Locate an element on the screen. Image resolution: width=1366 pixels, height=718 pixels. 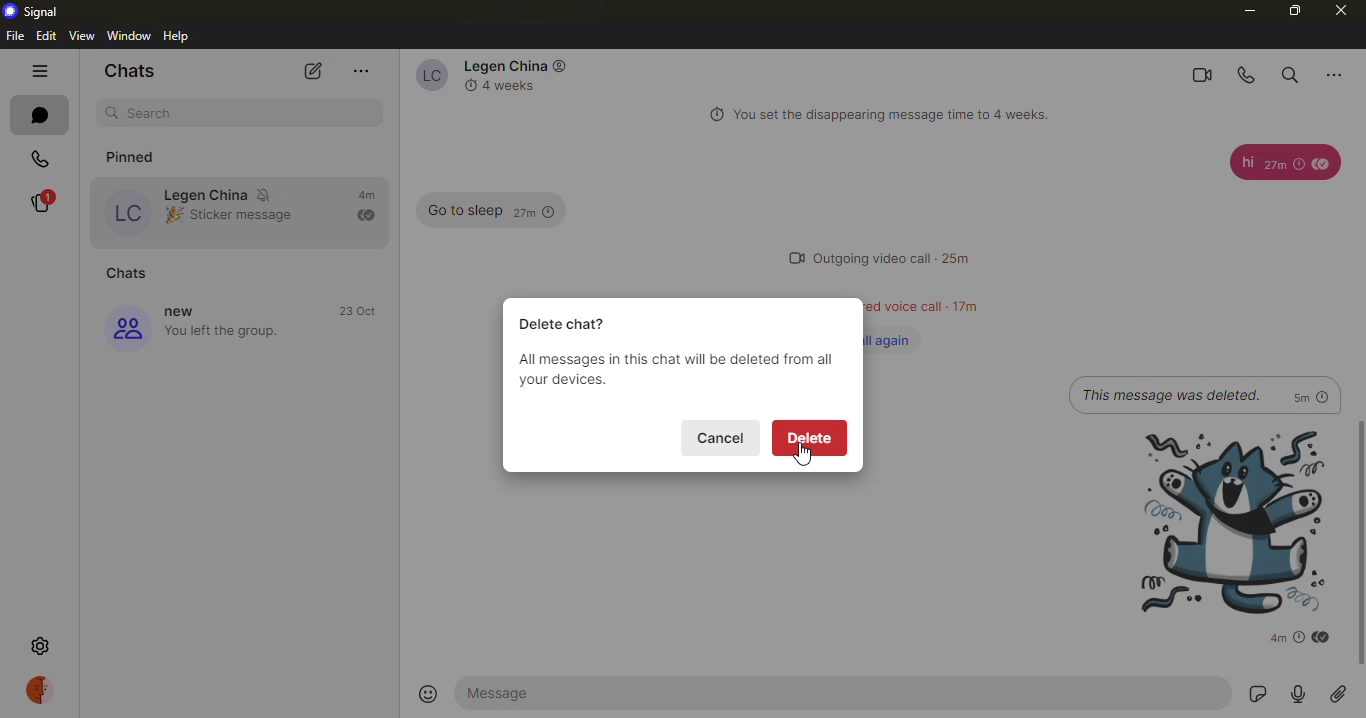
Legen China is located at coordinates (206, 194).